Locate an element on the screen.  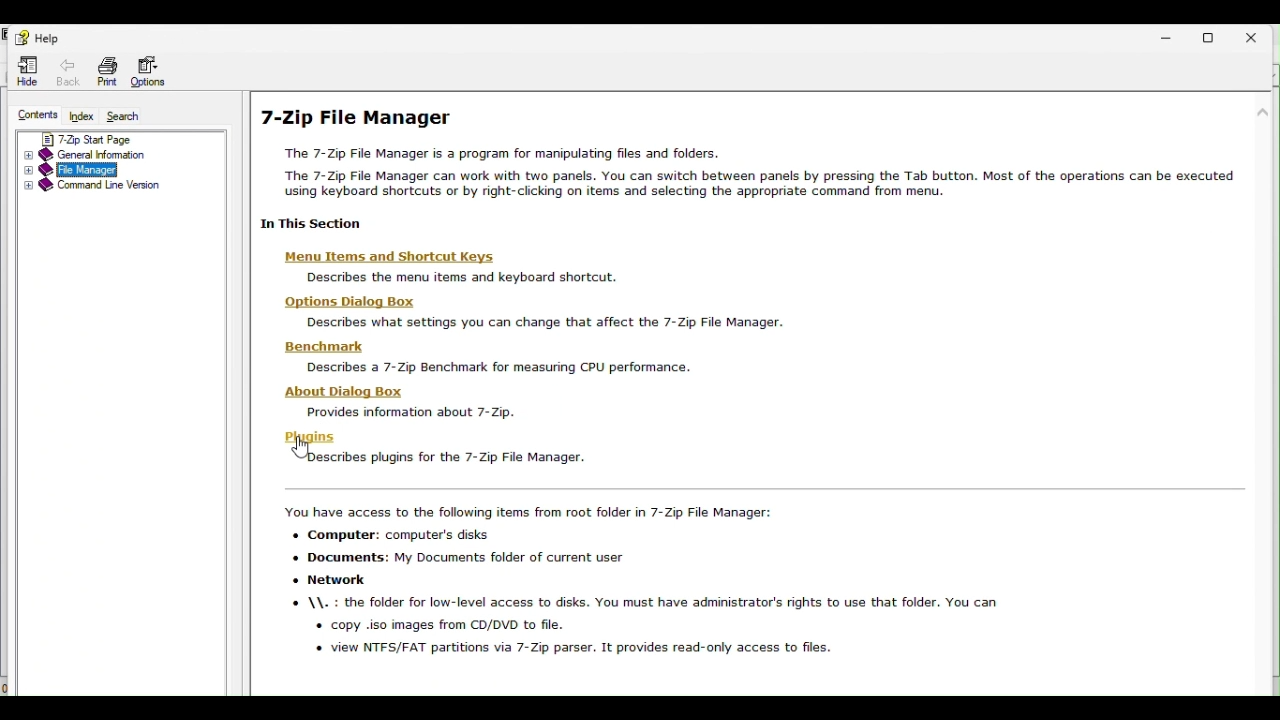
‘Benchmark is located at coordinates (327, 346).